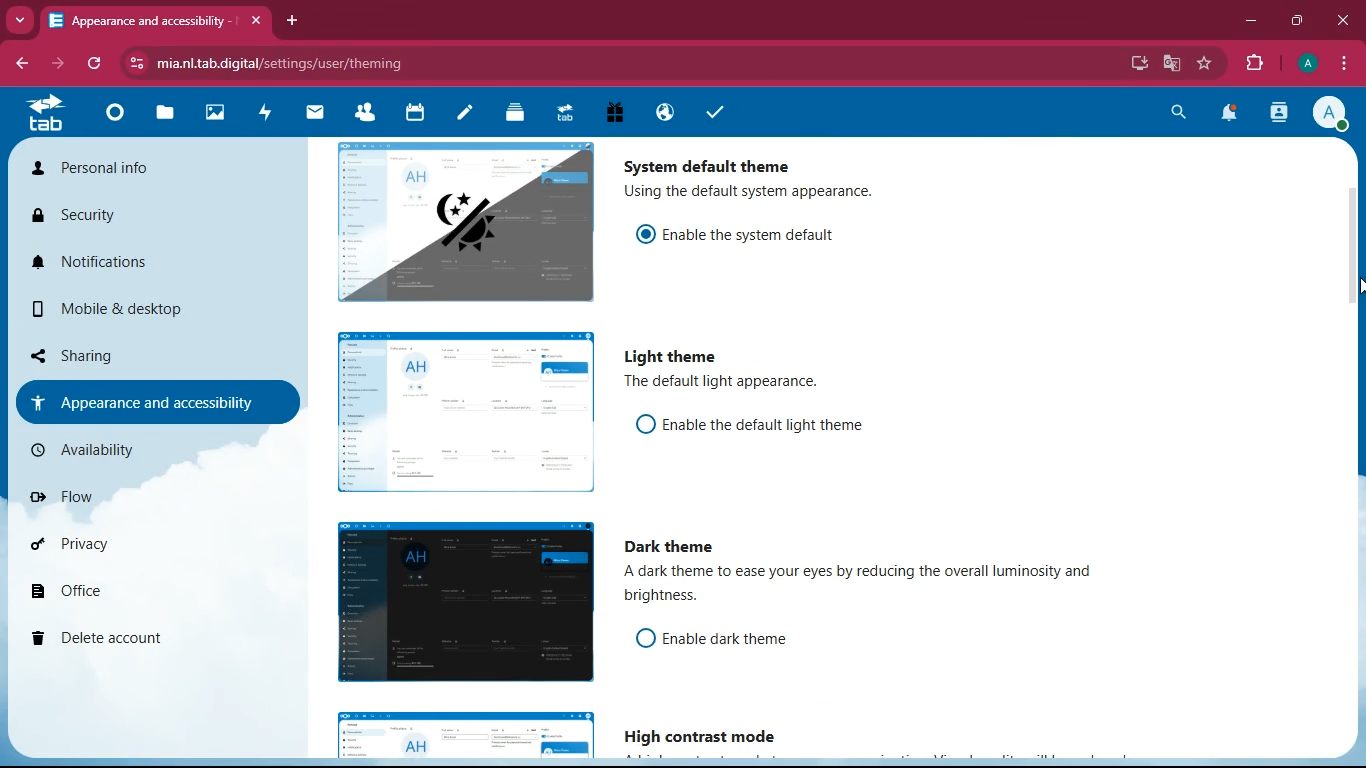 The width and height of the screenshot is (1366, 768). Describe the element at coordinates (126, 270) in the screenshot. I see `notifications` at that location.